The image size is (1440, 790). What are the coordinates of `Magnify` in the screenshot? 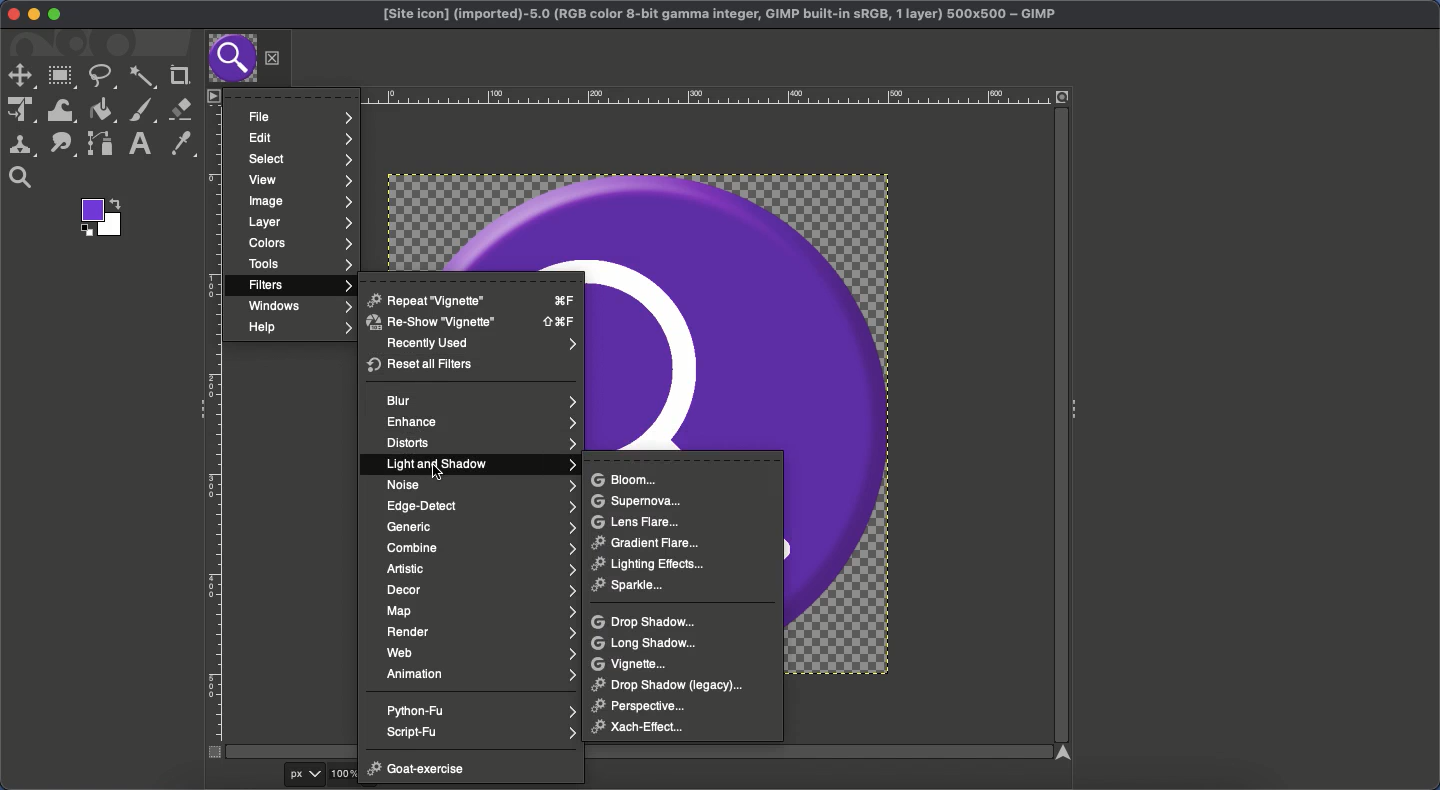 It's located at (21, 178).